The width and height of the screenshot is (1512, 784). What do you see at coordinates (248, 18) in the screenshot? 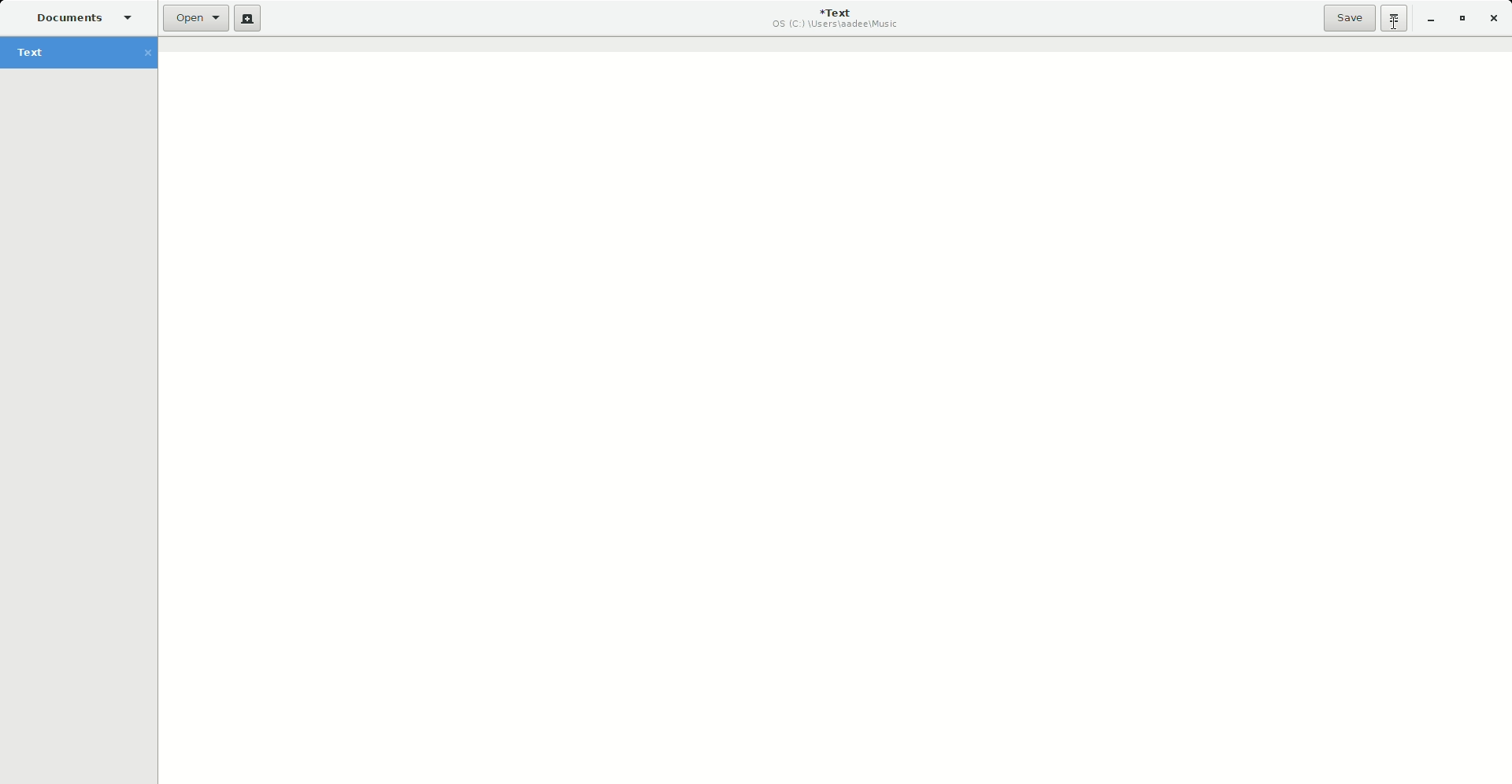
I see `New` at bounding box center [248, 18].